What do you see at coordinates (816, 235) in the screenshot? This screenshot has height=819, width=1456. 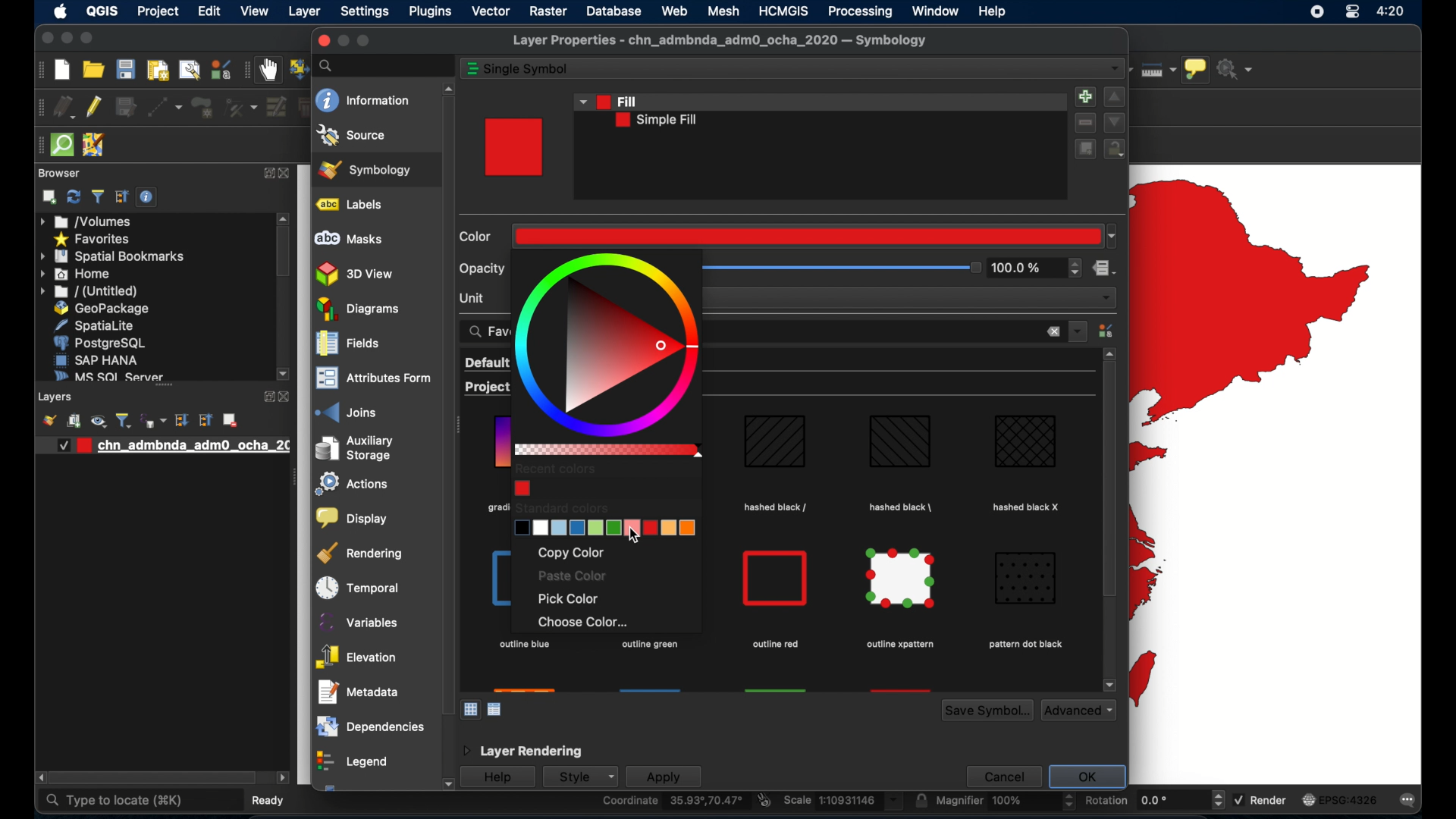 I see `red color selected` at bounding box center [816, 235].